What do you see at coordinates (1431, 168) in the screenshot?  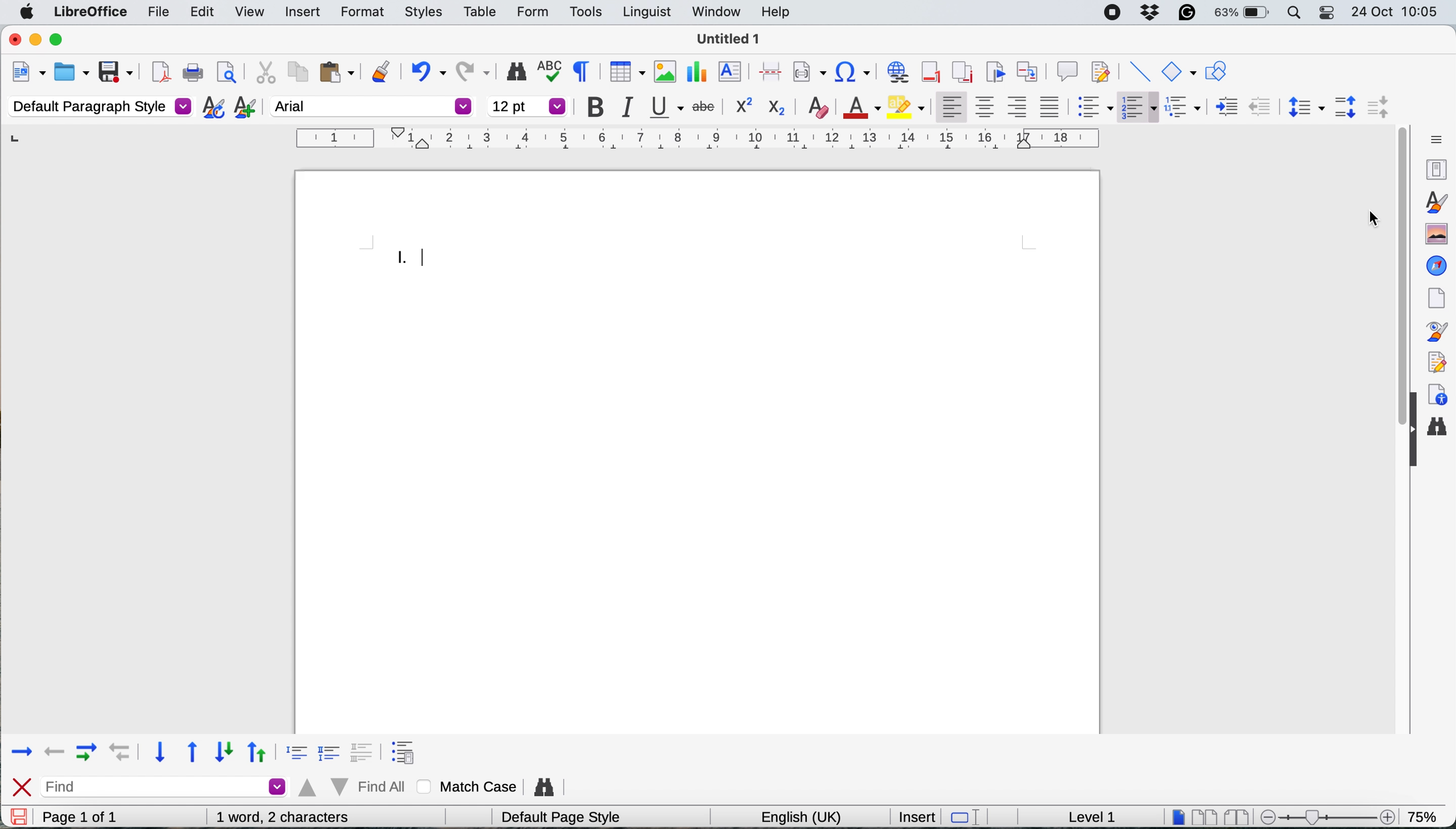 I see `properties` at bounding box center [1431, 168].